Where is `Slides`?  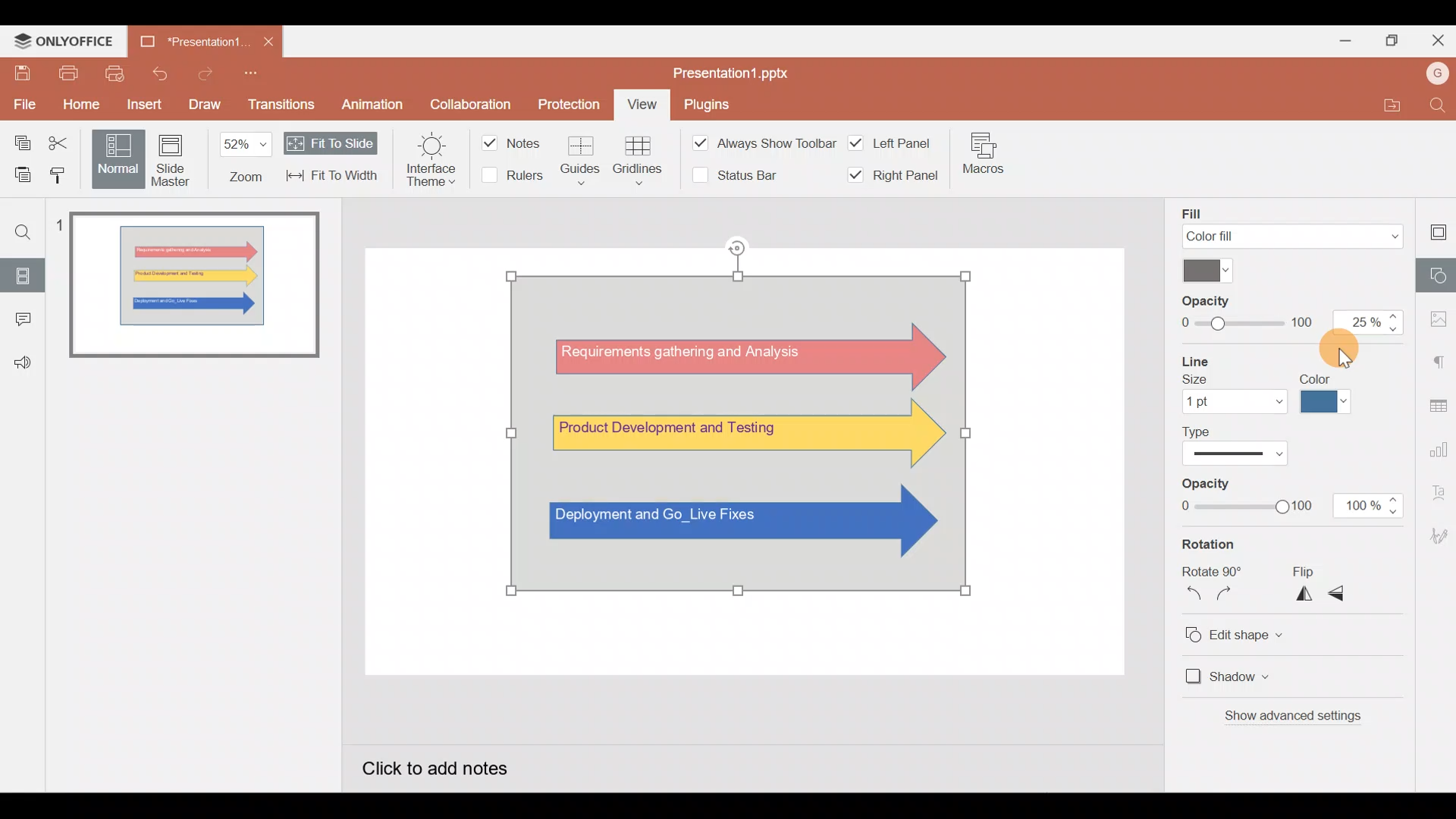
Slides is located at coordinates (24, 272).